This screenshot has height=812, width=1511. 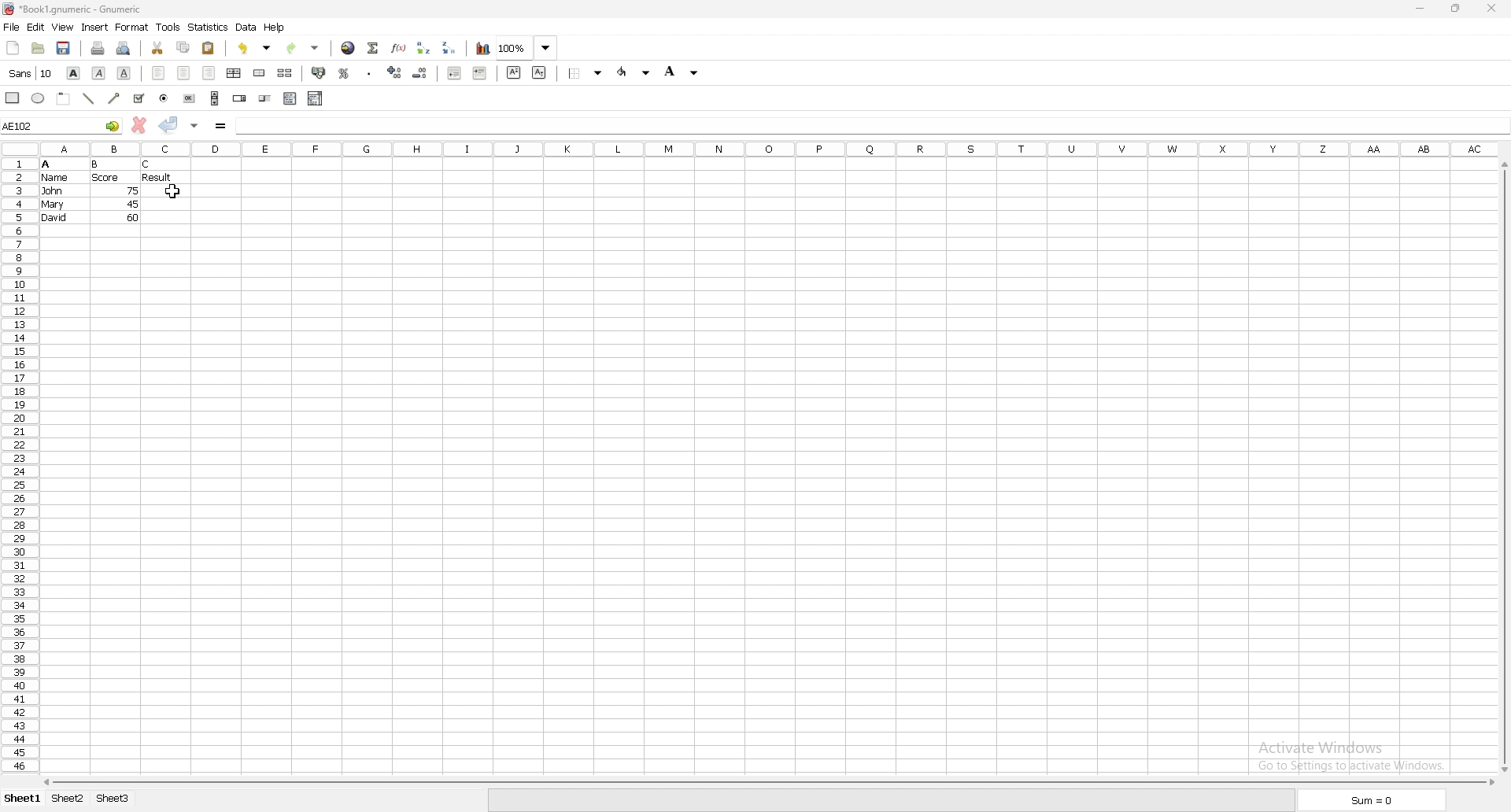 I want to click on cursor, so click(x=173, y=192).